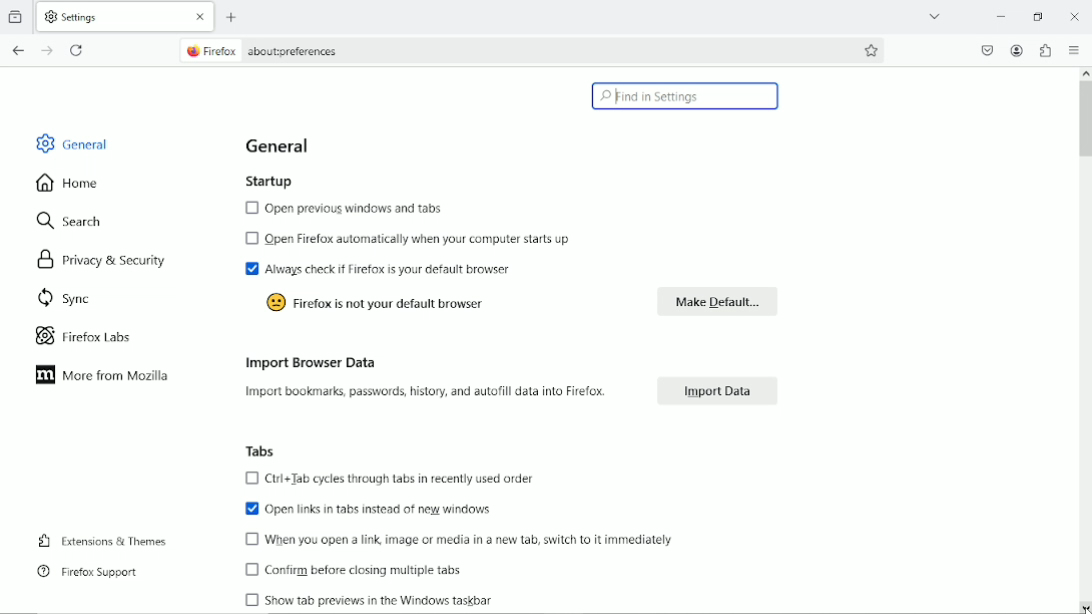 The width and height of the screenshot is (1092, 614). Describe the element at coordinates (308, 362) in the screenshot. I see `import browser data` at that location.